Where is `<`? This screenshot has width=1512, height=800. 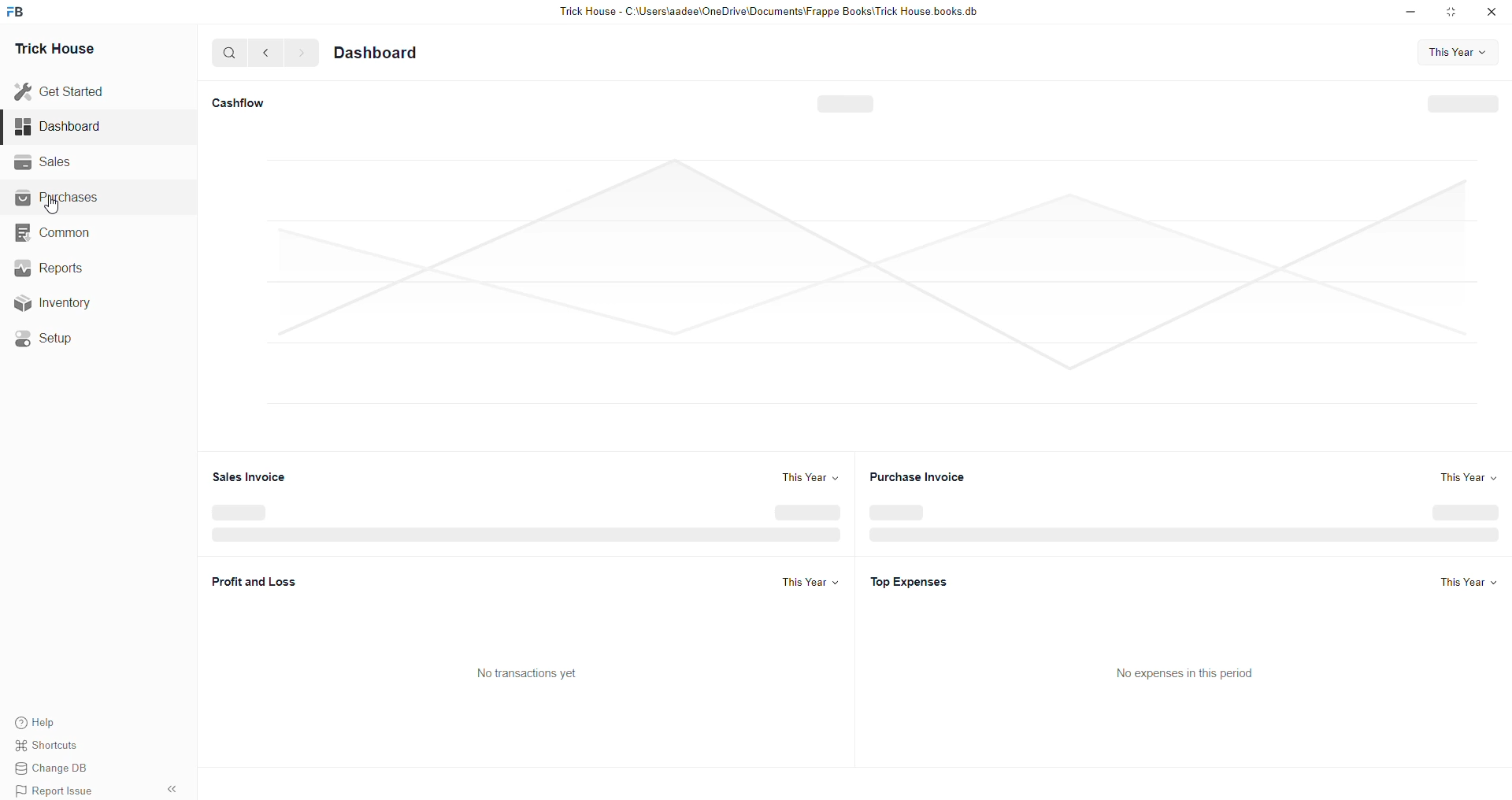
< is located at coordinates (262, 52).